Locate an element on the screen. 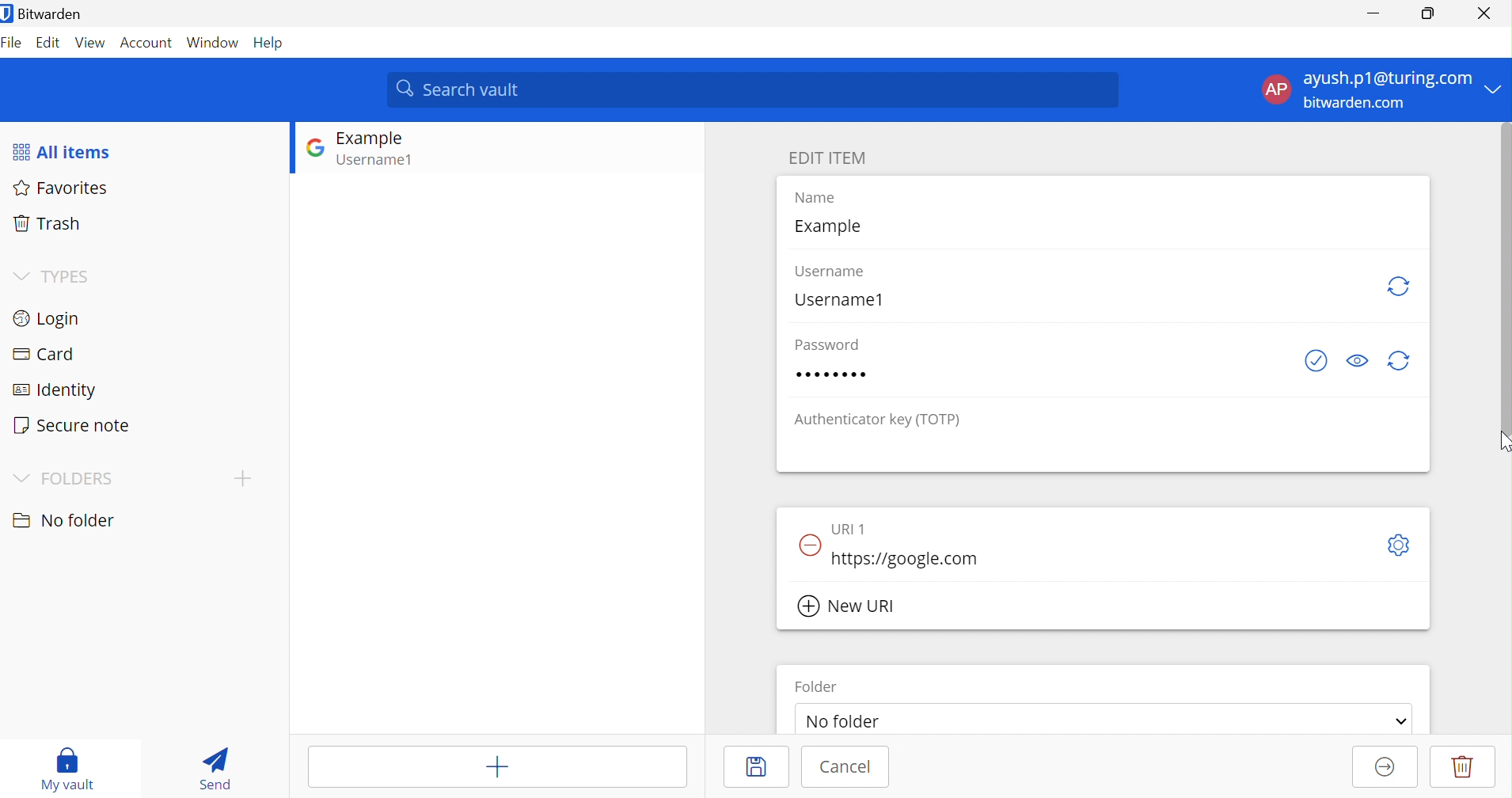 The height and width of the screenshot is (798, 1512). ACCOUNT OPTIONS is located at coordinates (1369, 90).